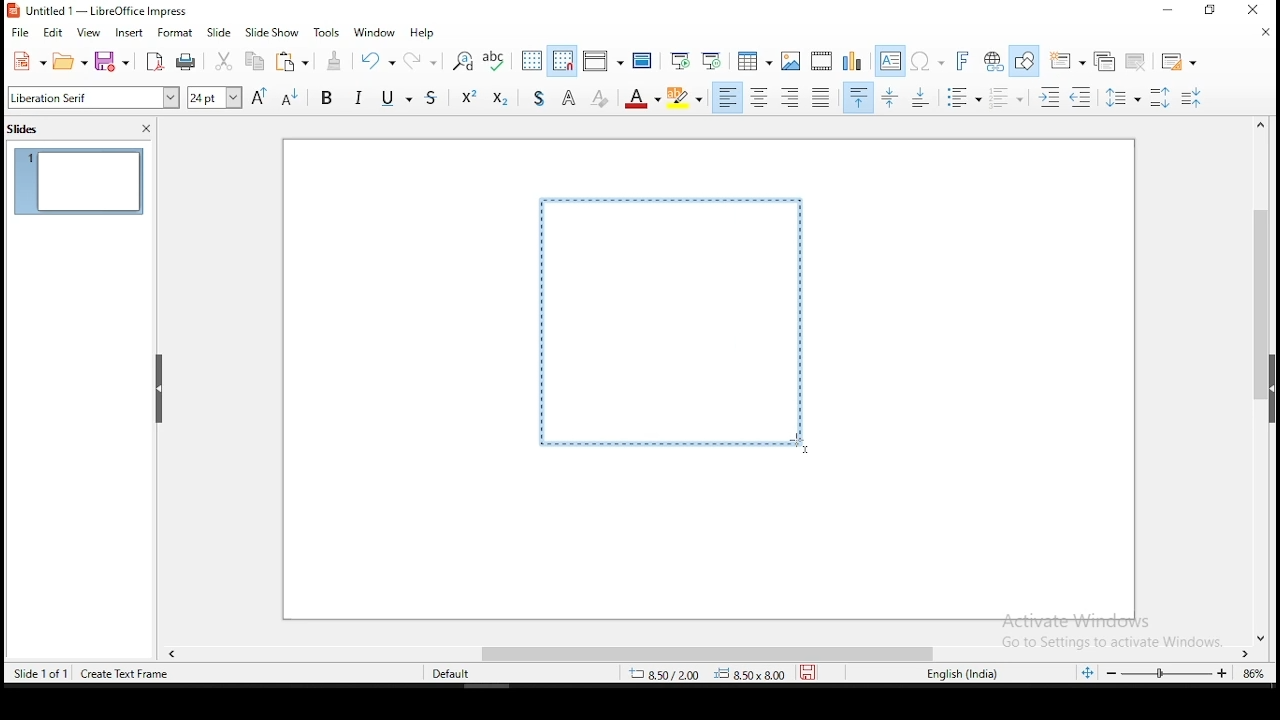 Image resolution: width=1280 pixels, height=720 pixels. Describe the element at coordinates (424, 30) in the screenshot. I see `help` at that location.